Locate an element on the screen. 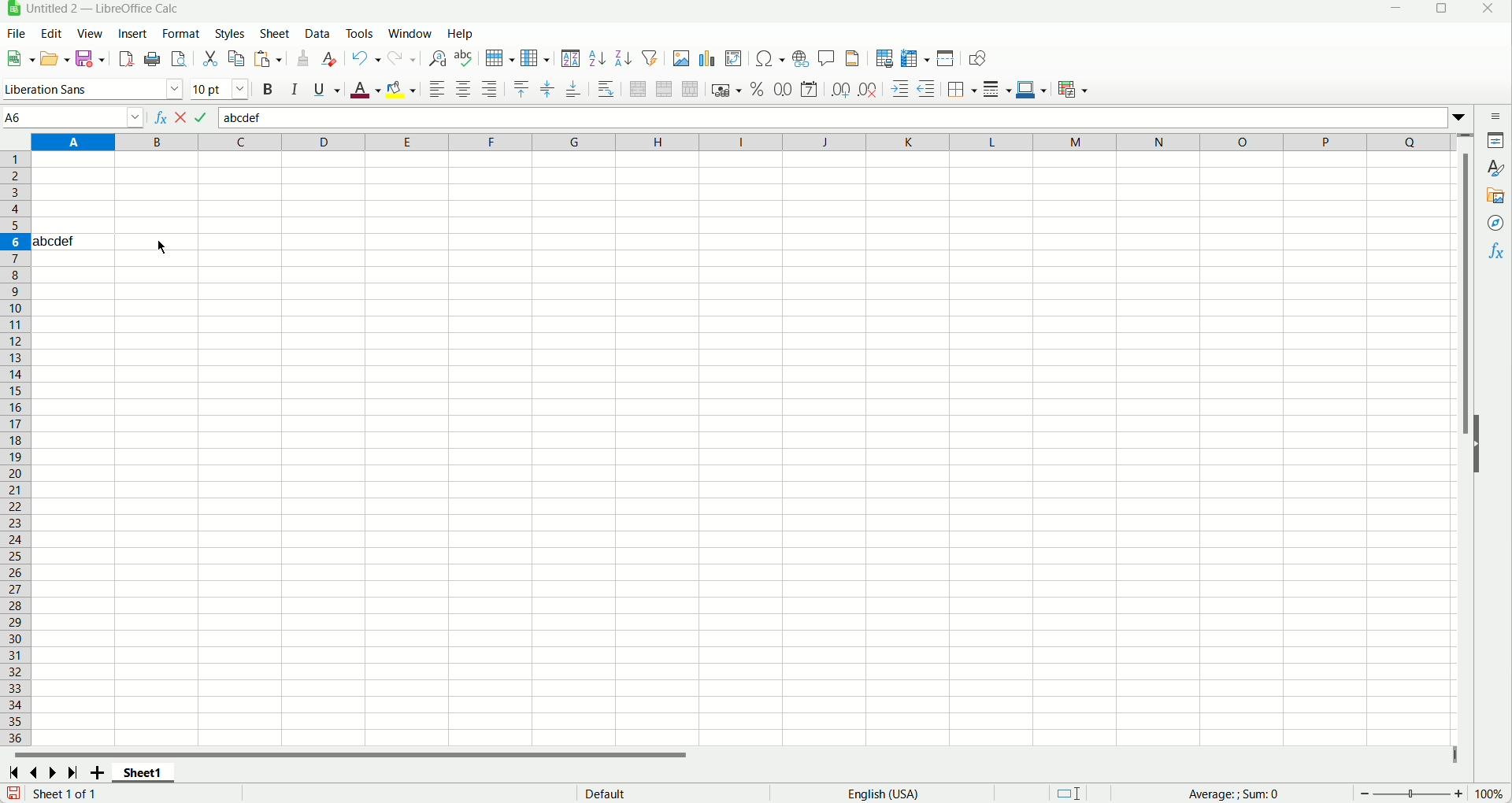  add decimal place is located at coordinates (840, 91).